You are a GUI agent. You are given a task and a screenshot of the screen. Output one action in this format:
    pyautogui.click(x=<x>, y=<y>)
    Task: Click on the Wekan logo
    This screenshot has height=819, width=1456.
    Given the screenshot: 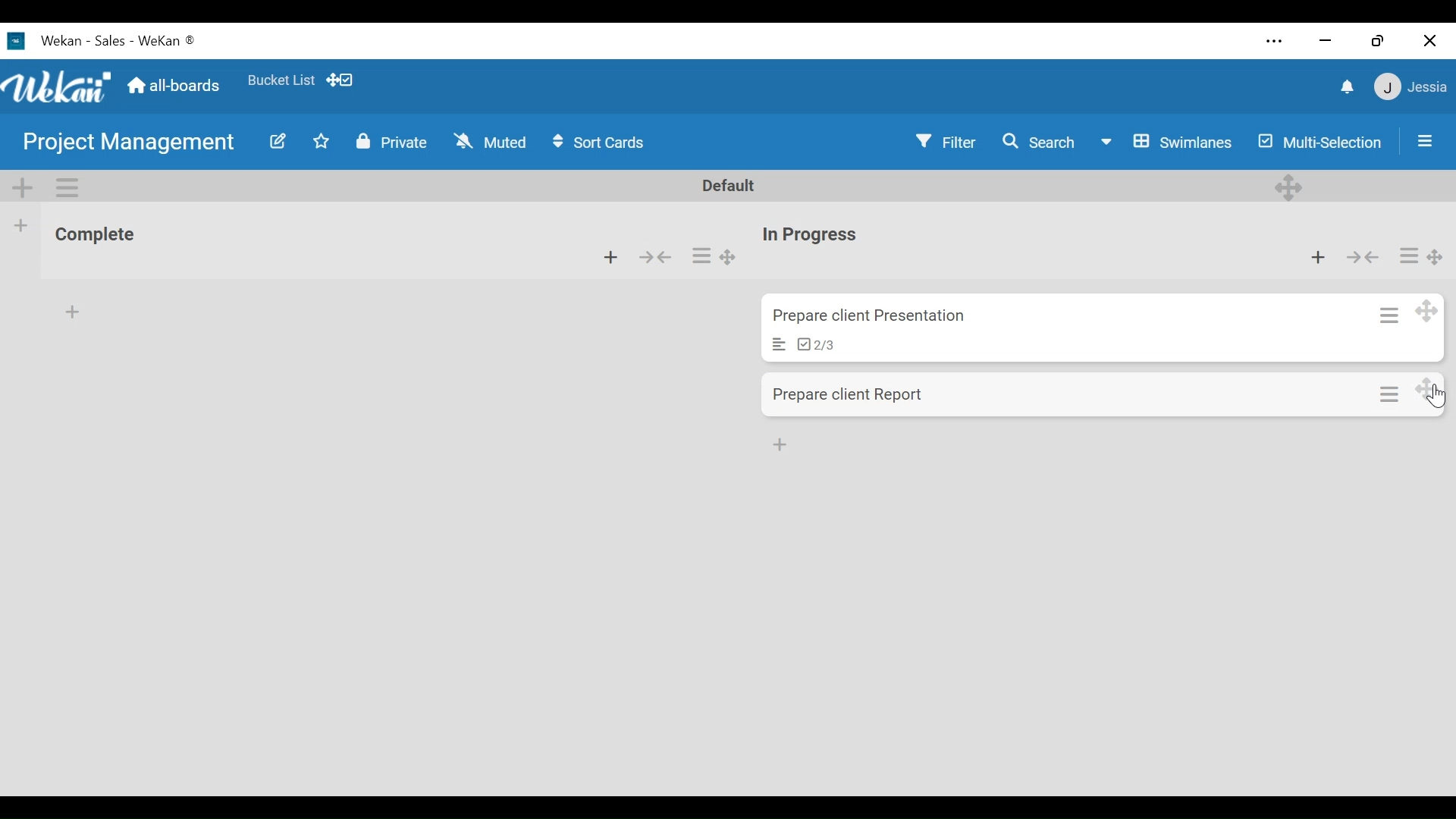 What is the action you would take?
    pyautogui.click(x=59, y=88)
    